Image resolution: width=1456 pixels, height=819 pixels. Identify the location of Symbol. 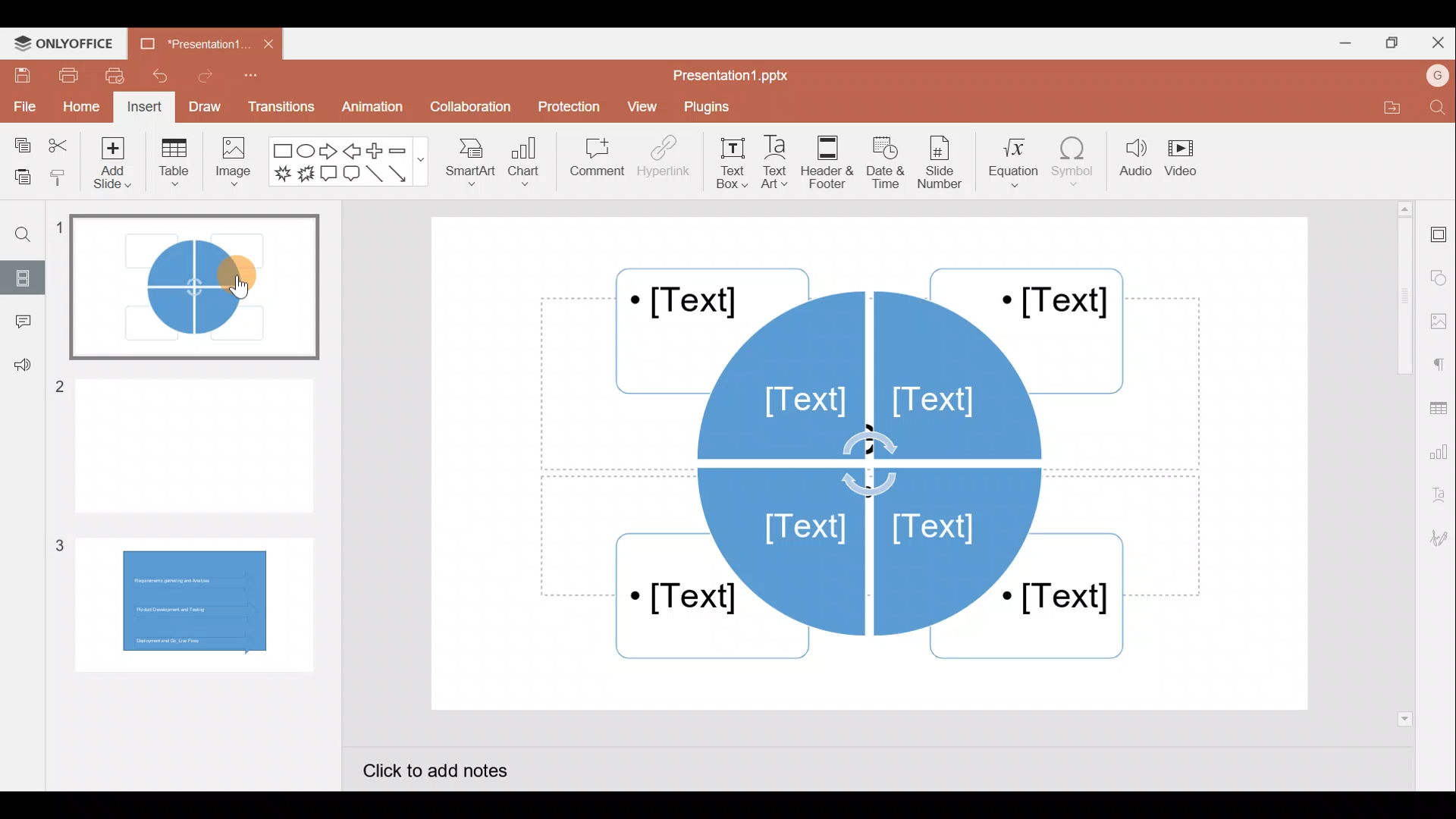
(1074, 165).